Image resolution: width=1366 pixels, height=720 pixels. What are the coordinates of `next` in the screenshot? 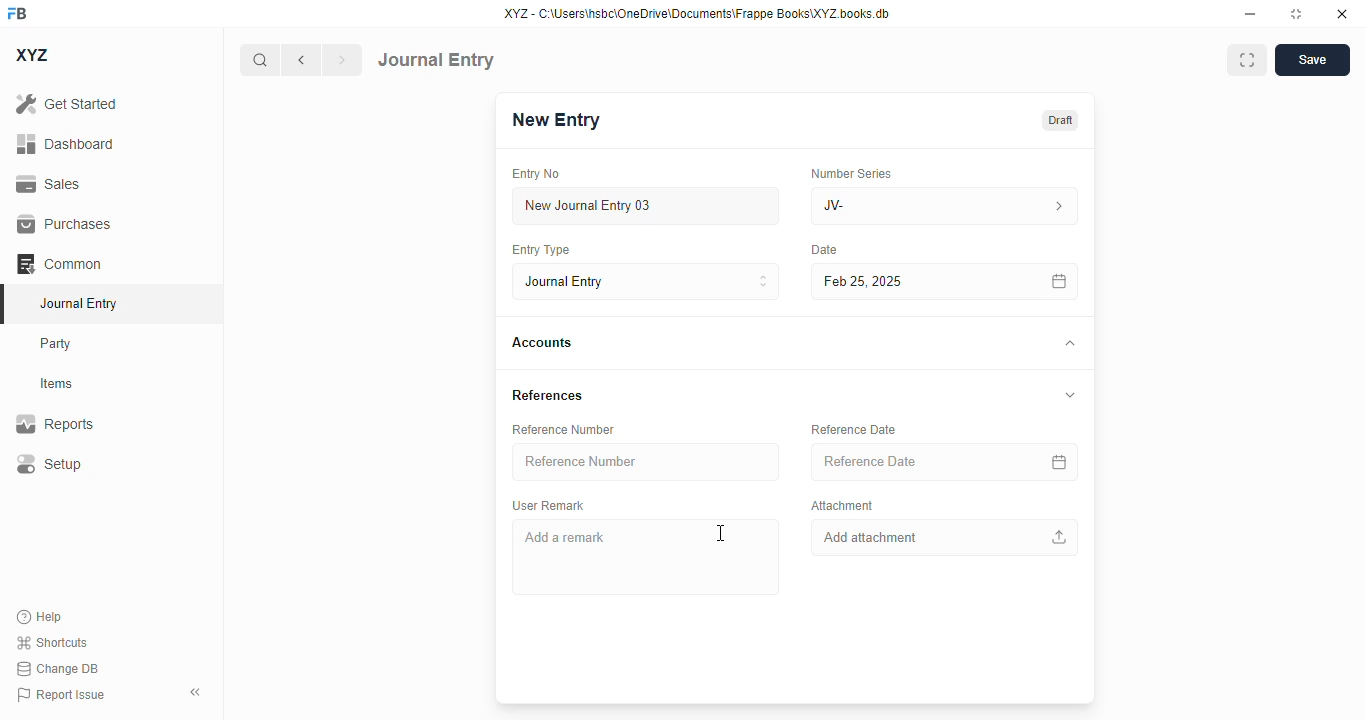 It's located at (343, 60).